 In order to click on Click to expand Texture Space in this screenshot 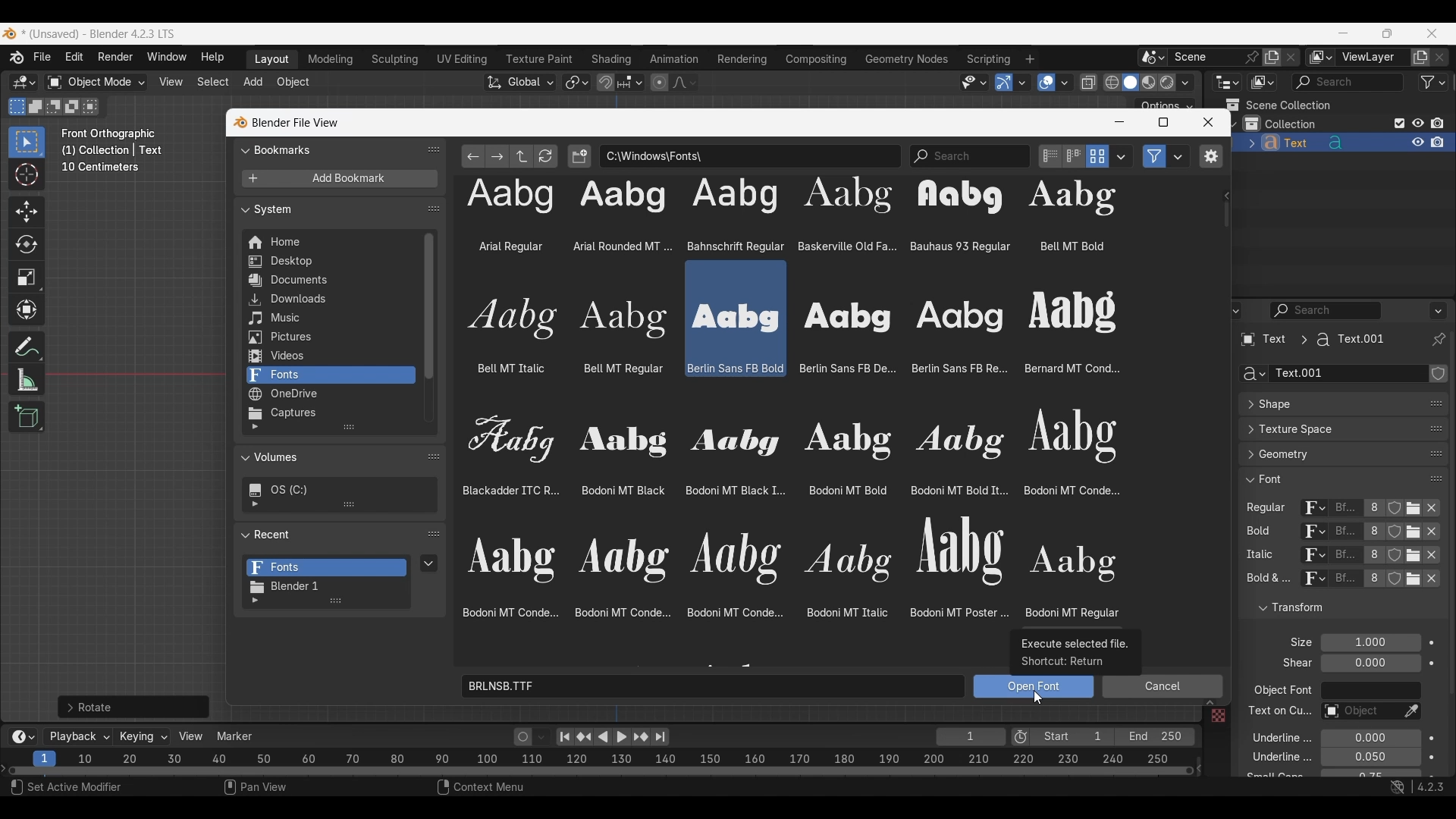, I will do `click(1328, 429)`.